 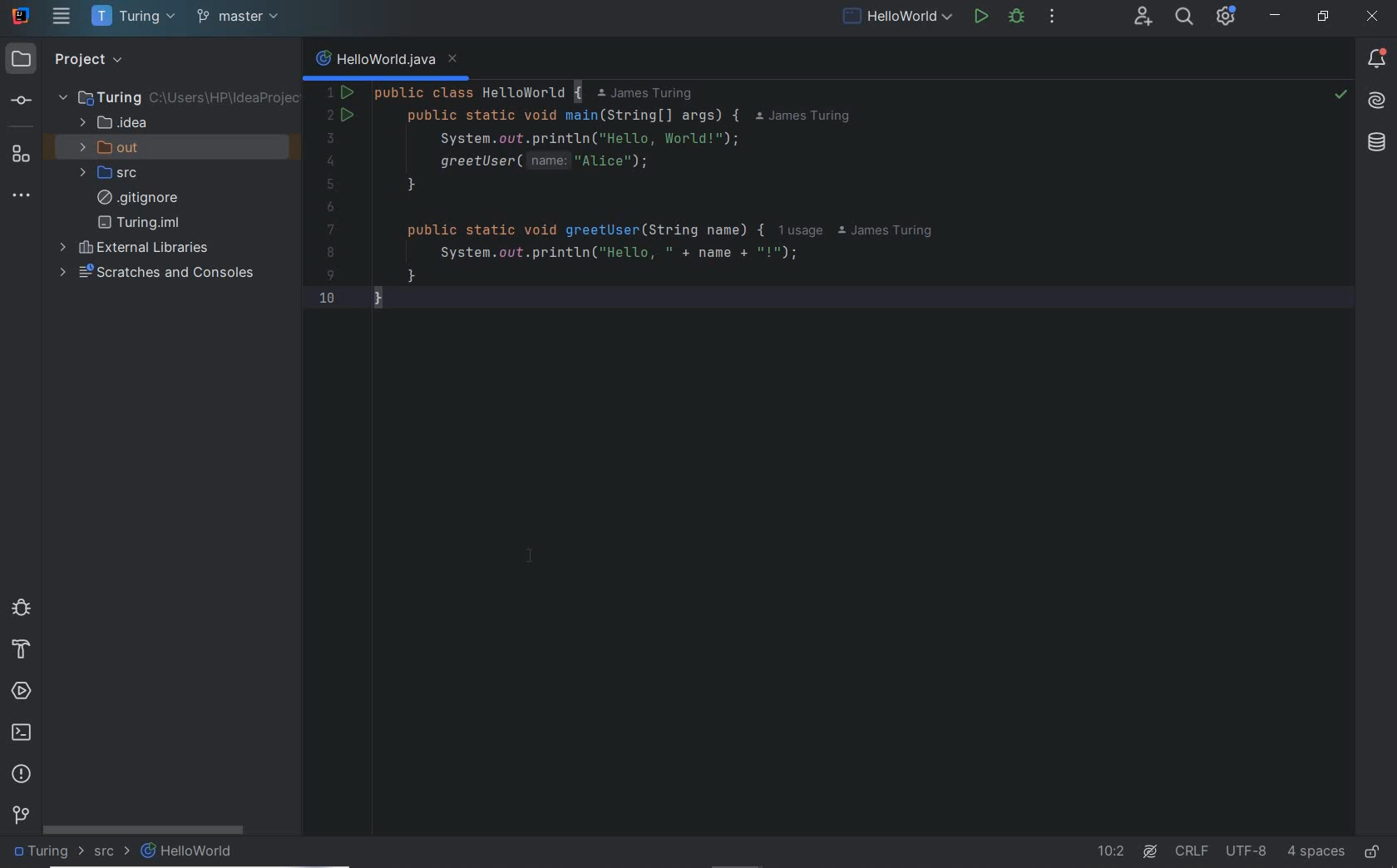 What do you see at coordinates (898, 16) in the screenshot?
I see `RUN/DEBUG CONFICURATIONS` at bounding box center [898, 16].